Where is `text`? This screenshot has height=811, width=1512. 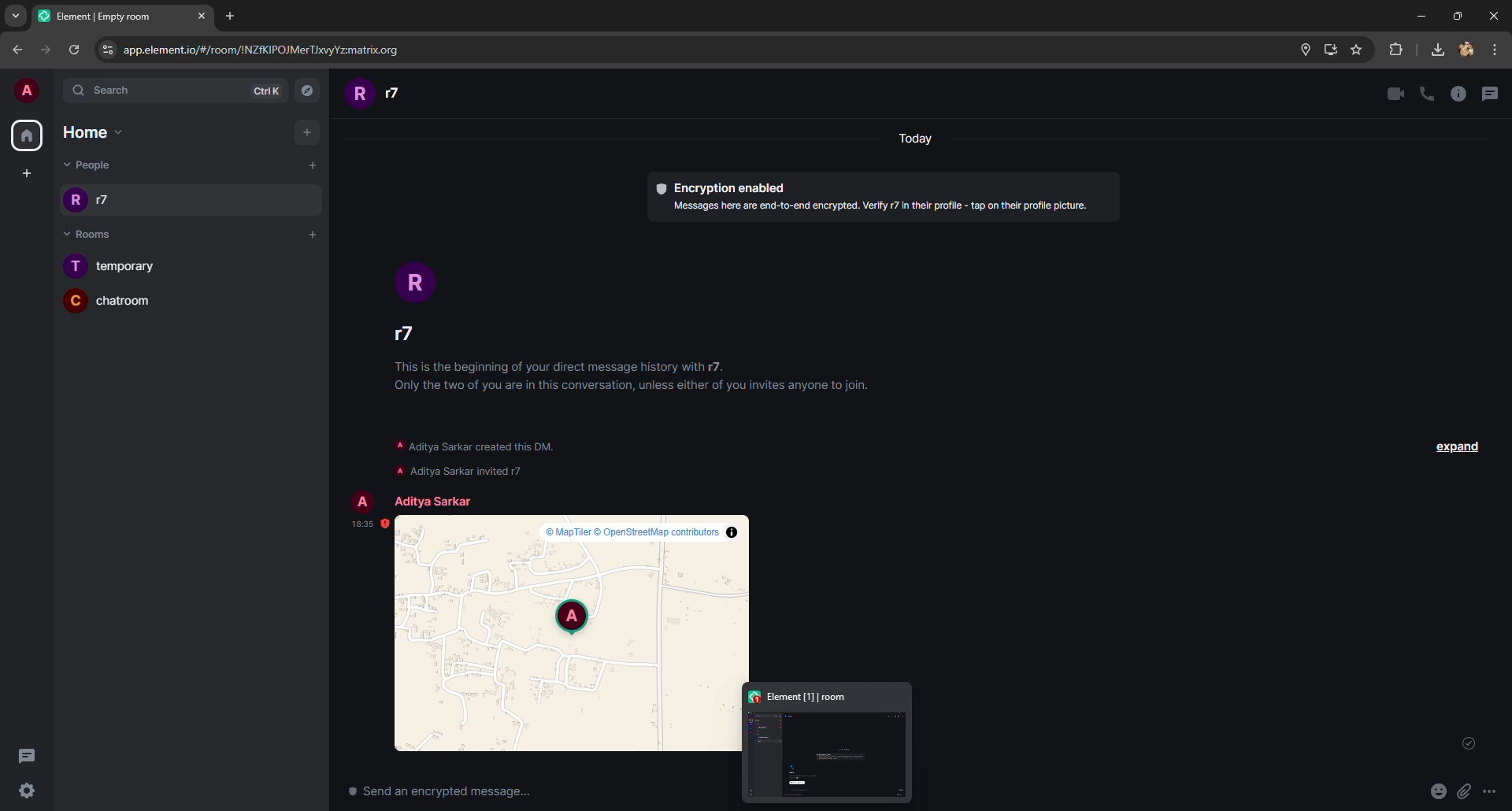 text is located at coordinates (622, 372).